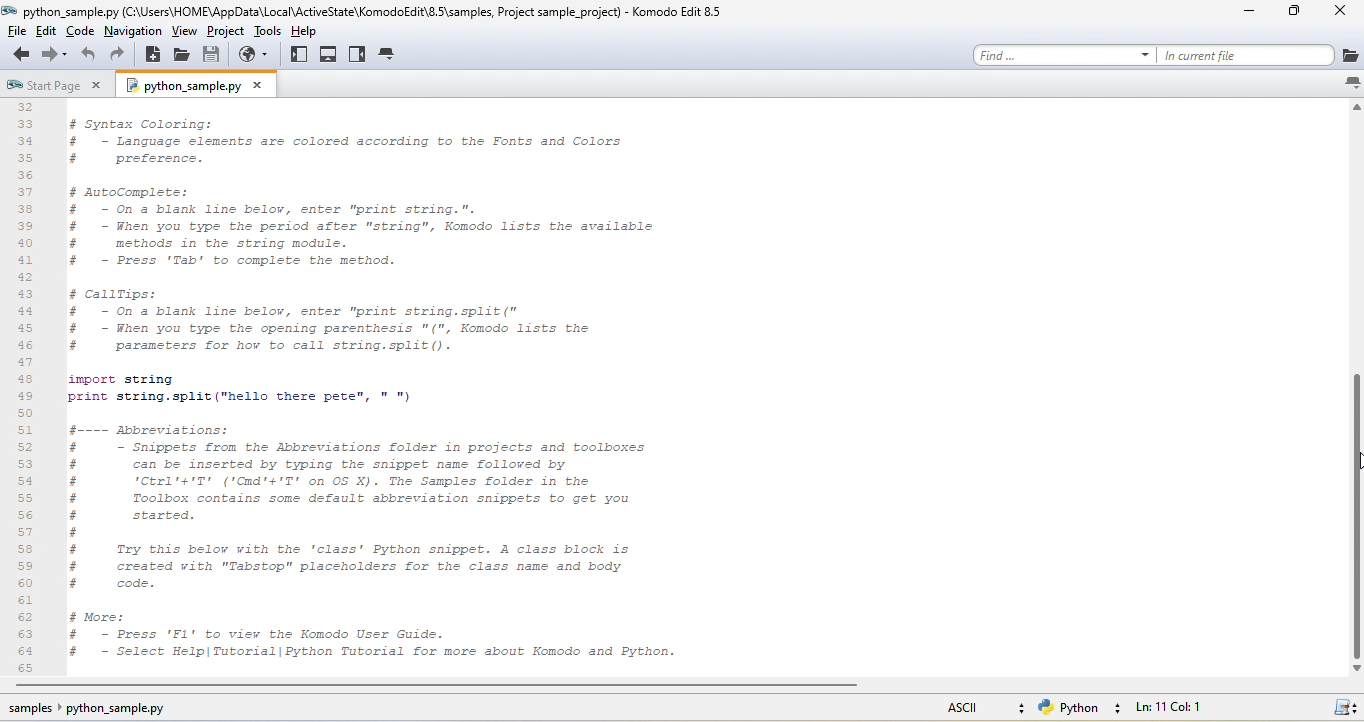 The width and height of the screenshot is (1364, 722). Describe the element at coordinates (55, 56) in the screenshot. I see `forward` at that location.